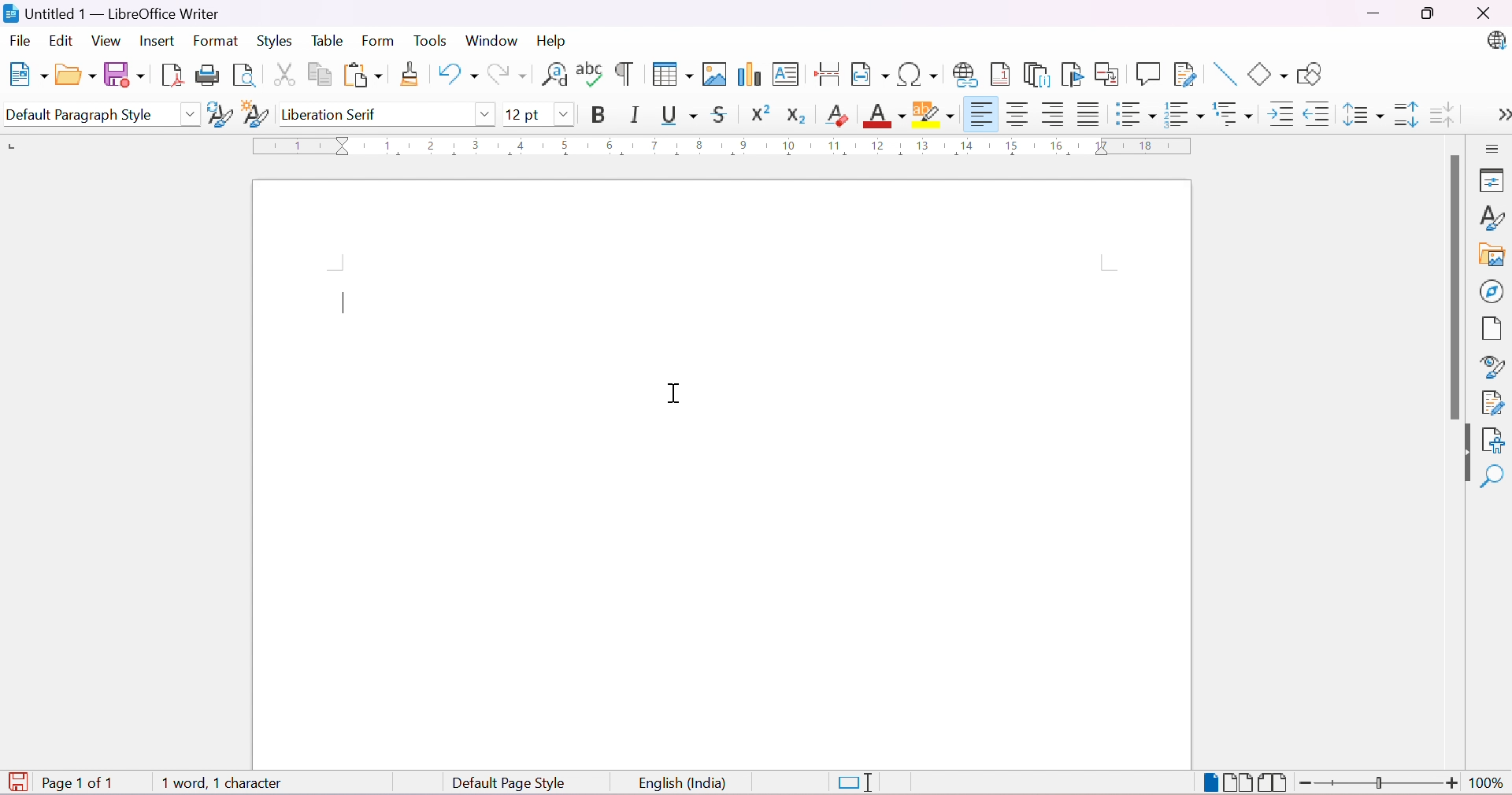  What do you see at coordinates (1070, 74) in the screenshot?
I see `Insert Bookmark` at bounding box center [1070, 74].